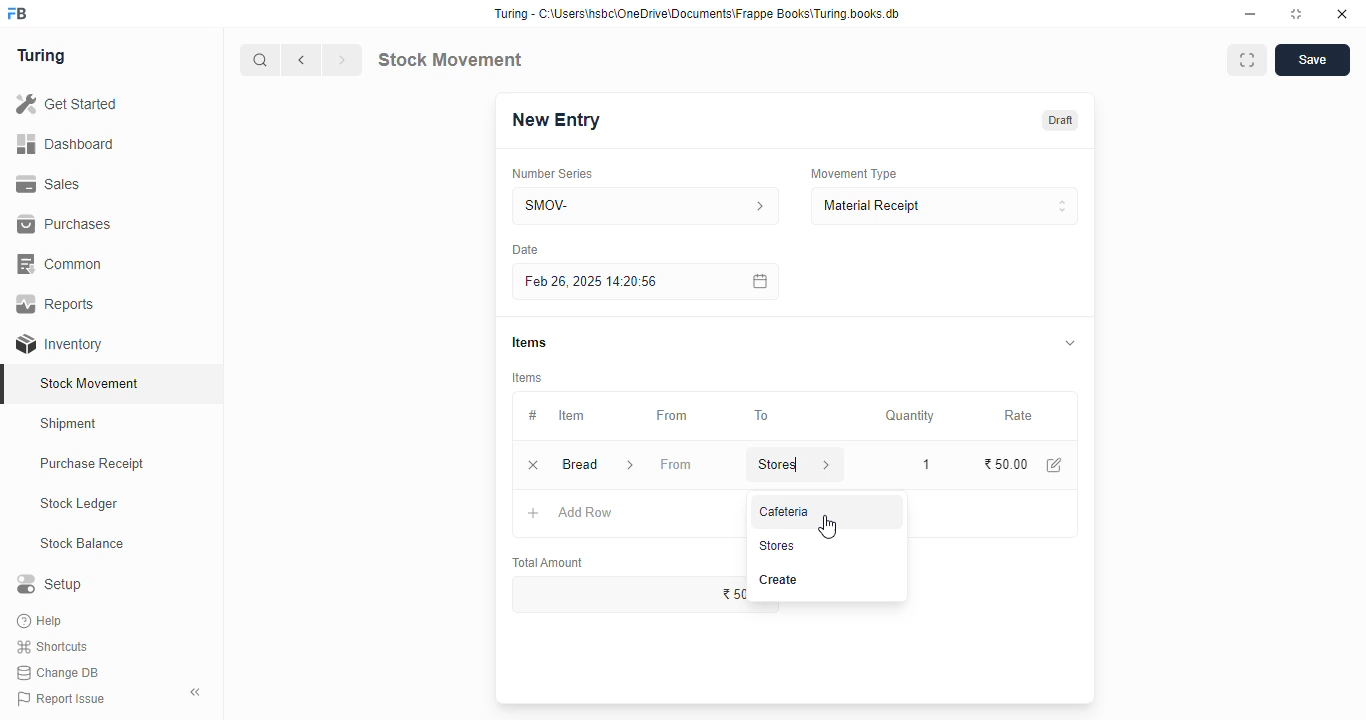 The width and height of the screenshot is (1366, 720). What do you see at coordinates (525, 249) in the screenshot?
I see `Date` at bounding box center [525, 249].